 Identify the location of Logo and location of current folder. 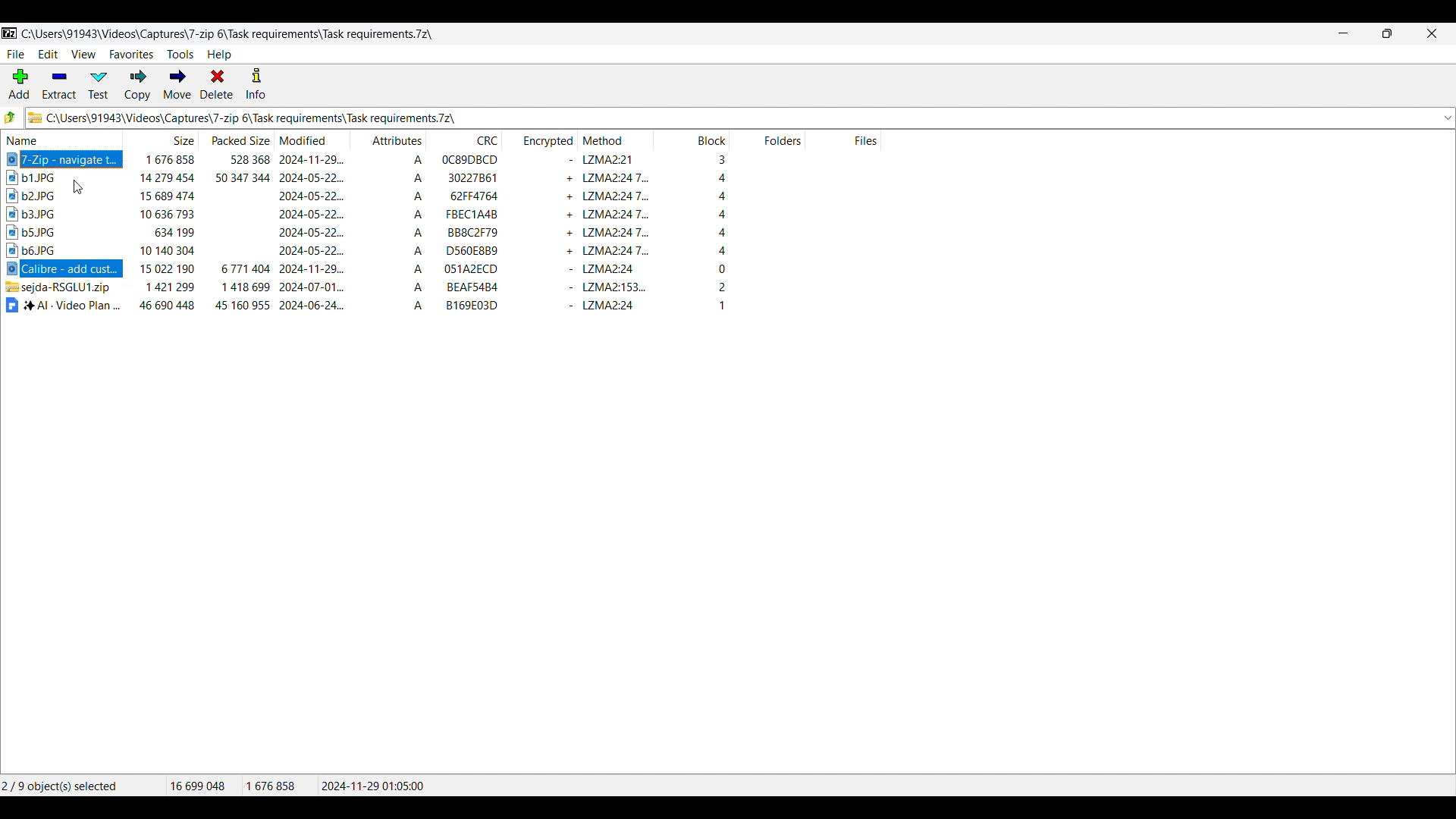
(731, 118).